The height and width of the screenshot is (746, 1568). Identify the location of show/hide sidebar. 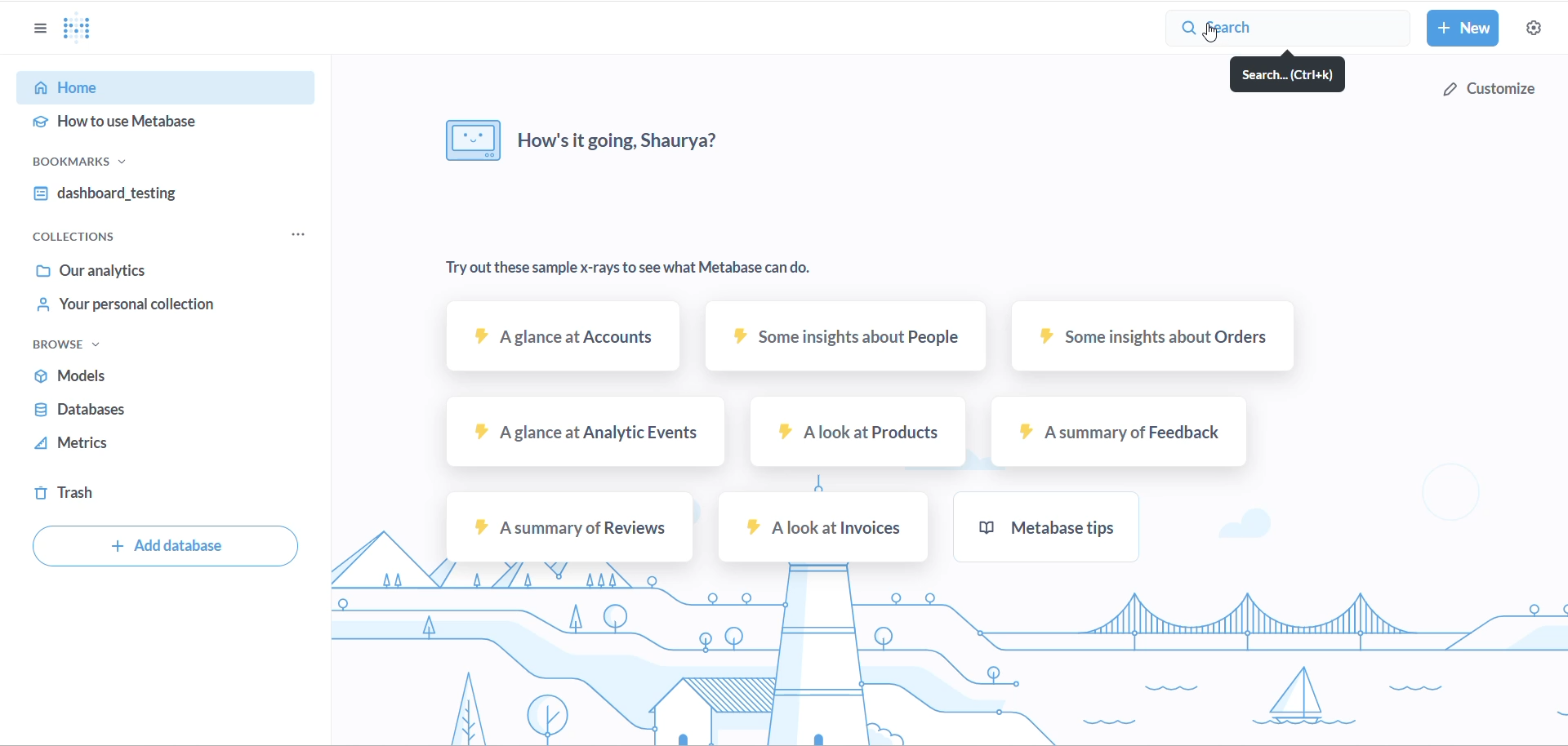
(36, 30).